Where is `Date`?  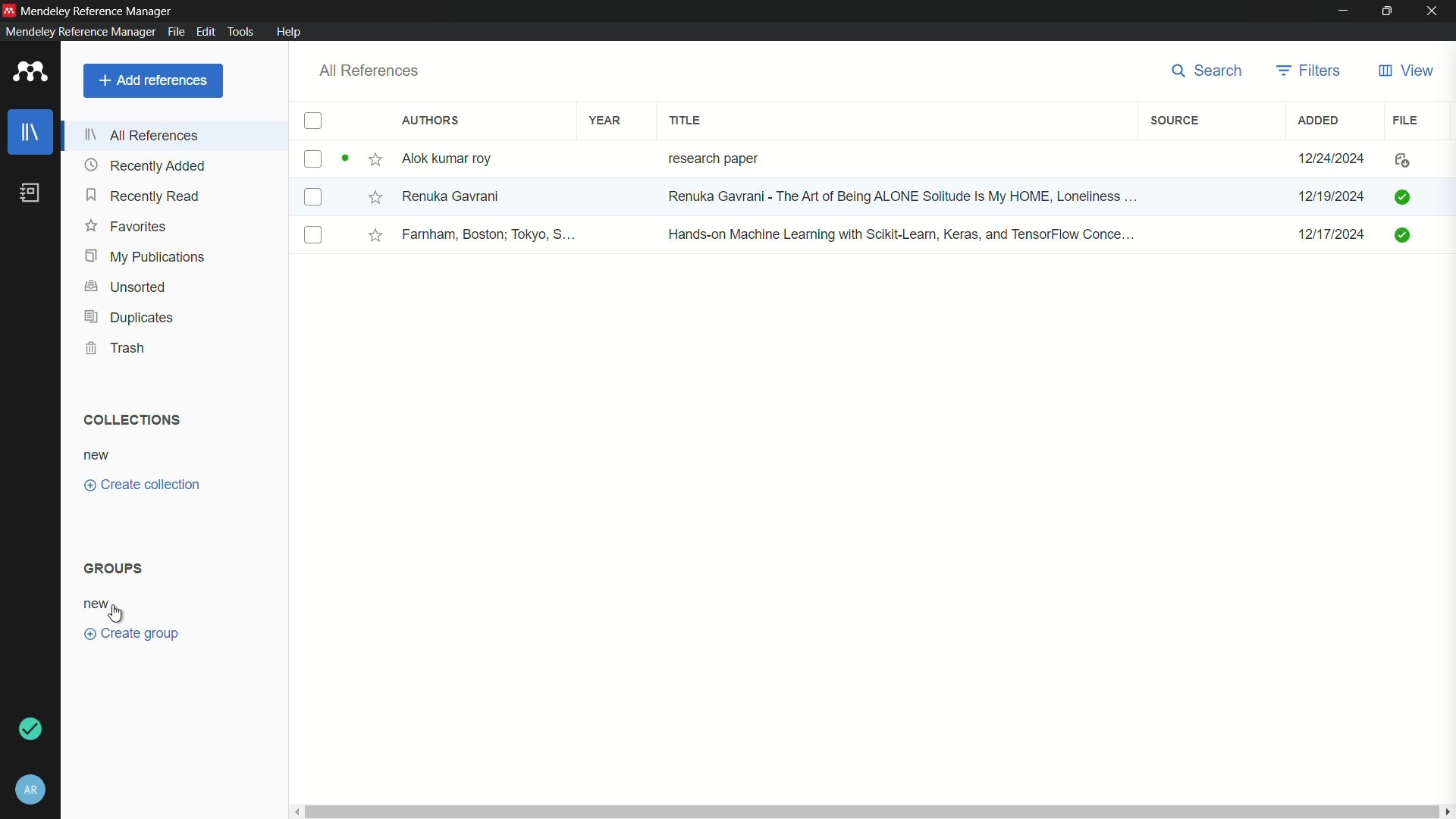 Date is located at coordinates (1334, 158).